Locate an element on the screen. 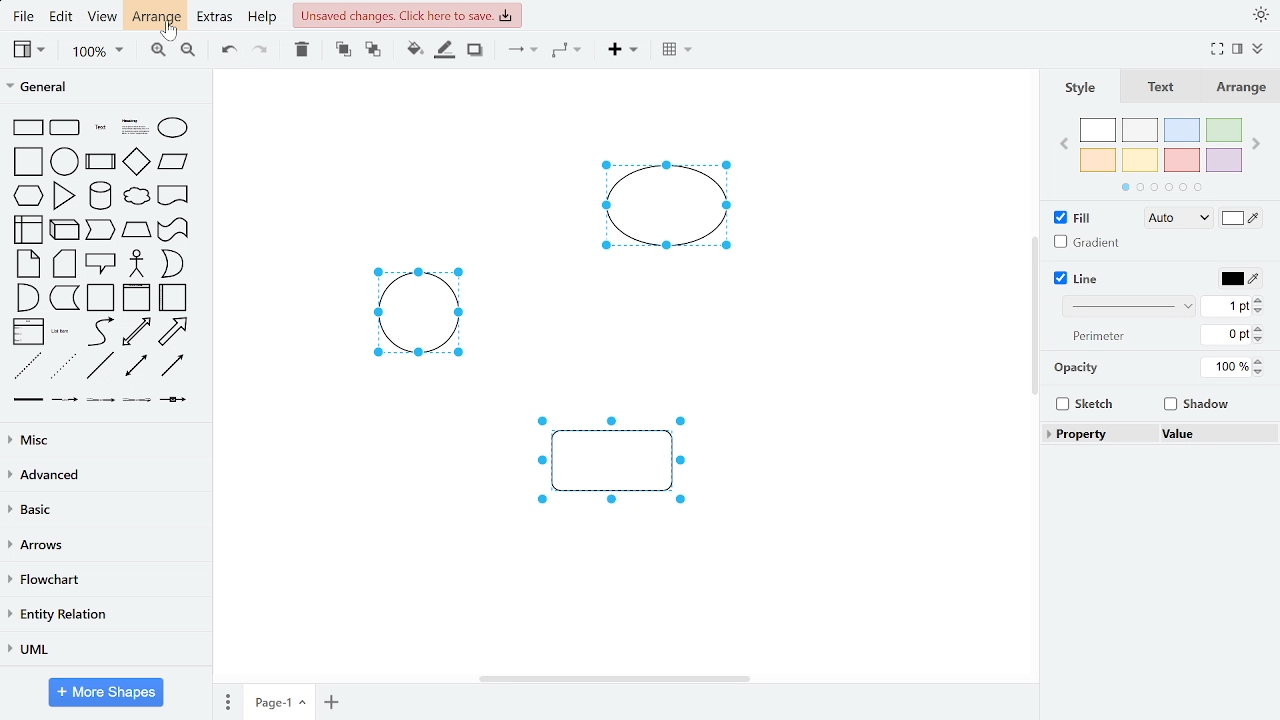  perimeter is located at coordinates (1100, 337).